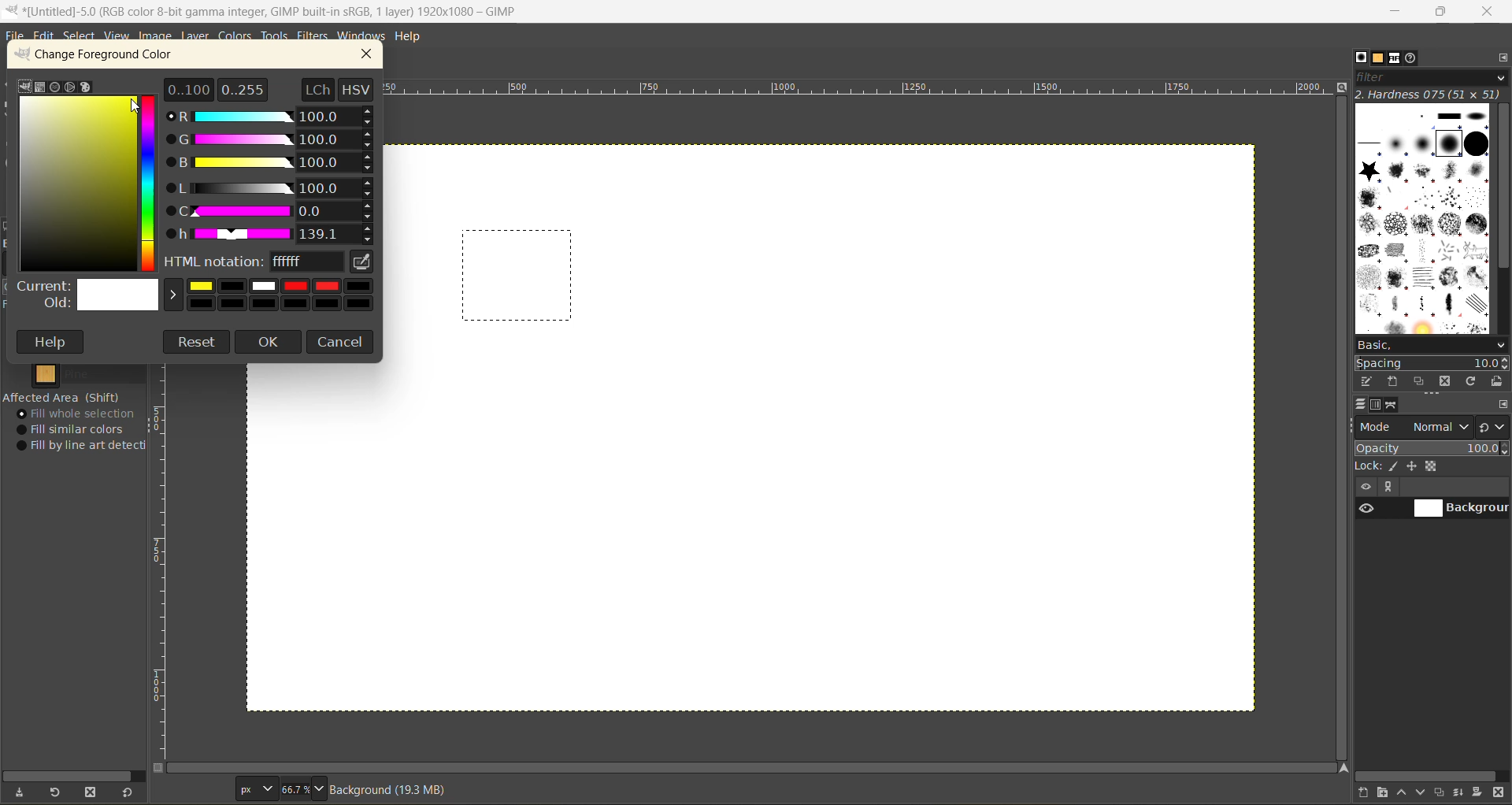  Describe the element at coordinates (1415, 427) in the screenshot. I see `mode` at that location.